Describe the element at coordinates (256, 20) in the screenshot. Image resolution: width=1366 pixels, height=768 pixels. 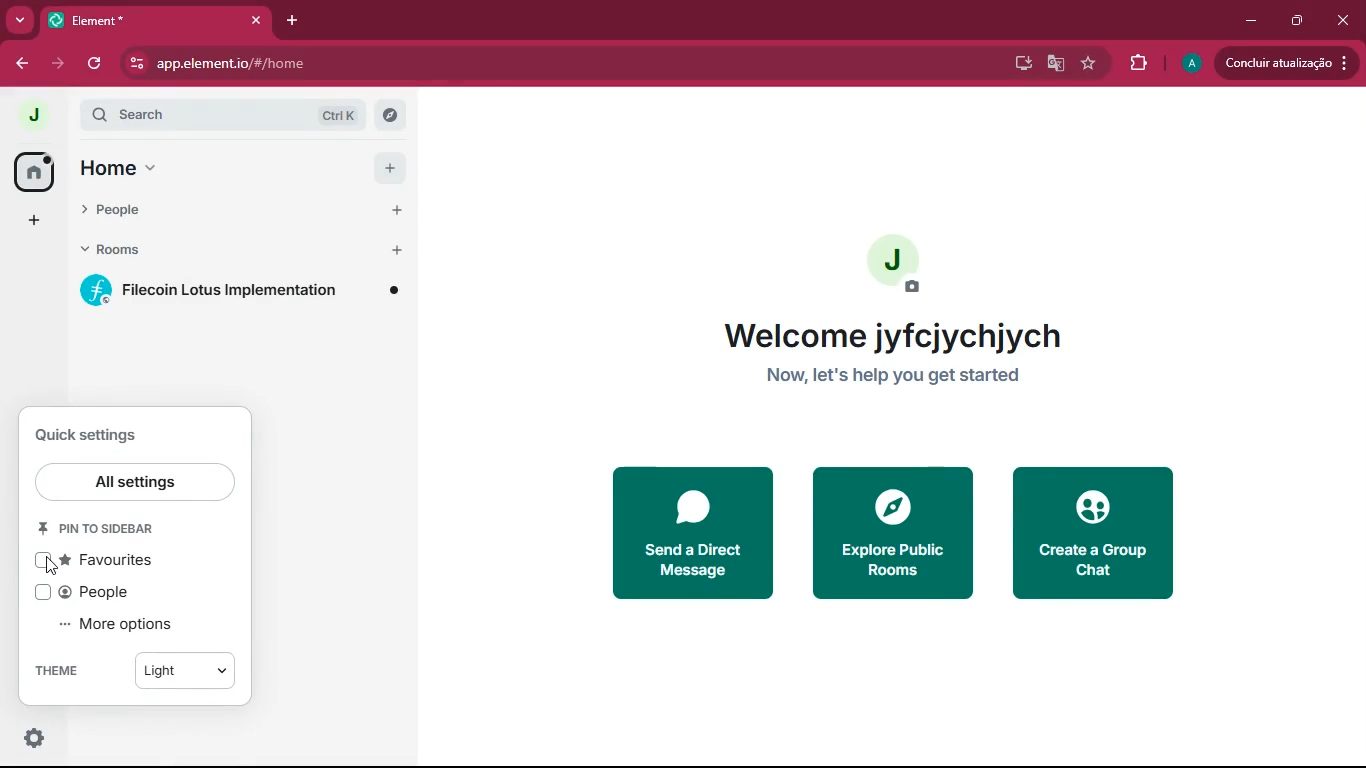
I see `Close` at that location.